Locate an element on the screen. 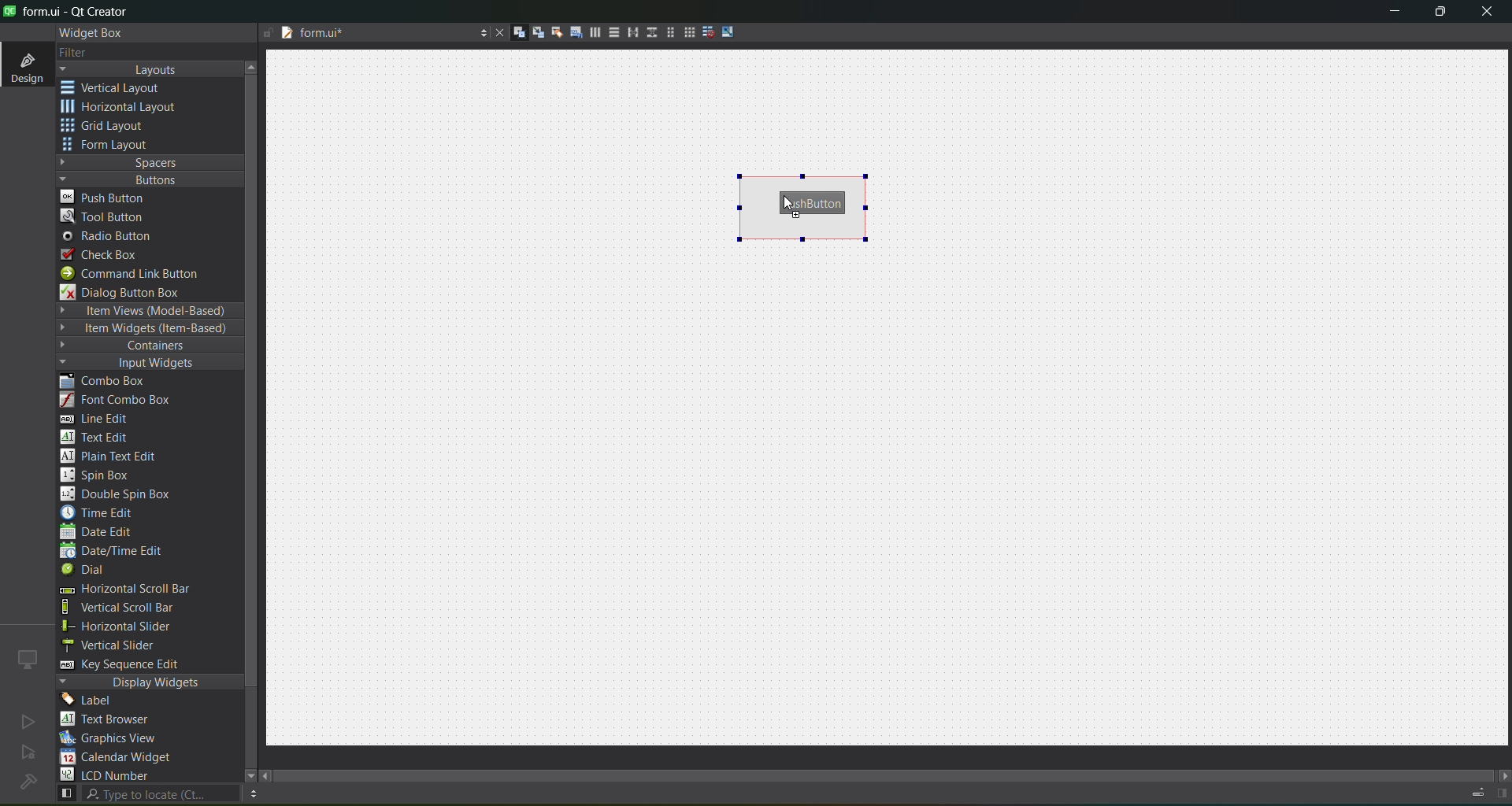 The width and height of the screenshot is (1512, 806). layout vertically is located at coordinates (610, 31).